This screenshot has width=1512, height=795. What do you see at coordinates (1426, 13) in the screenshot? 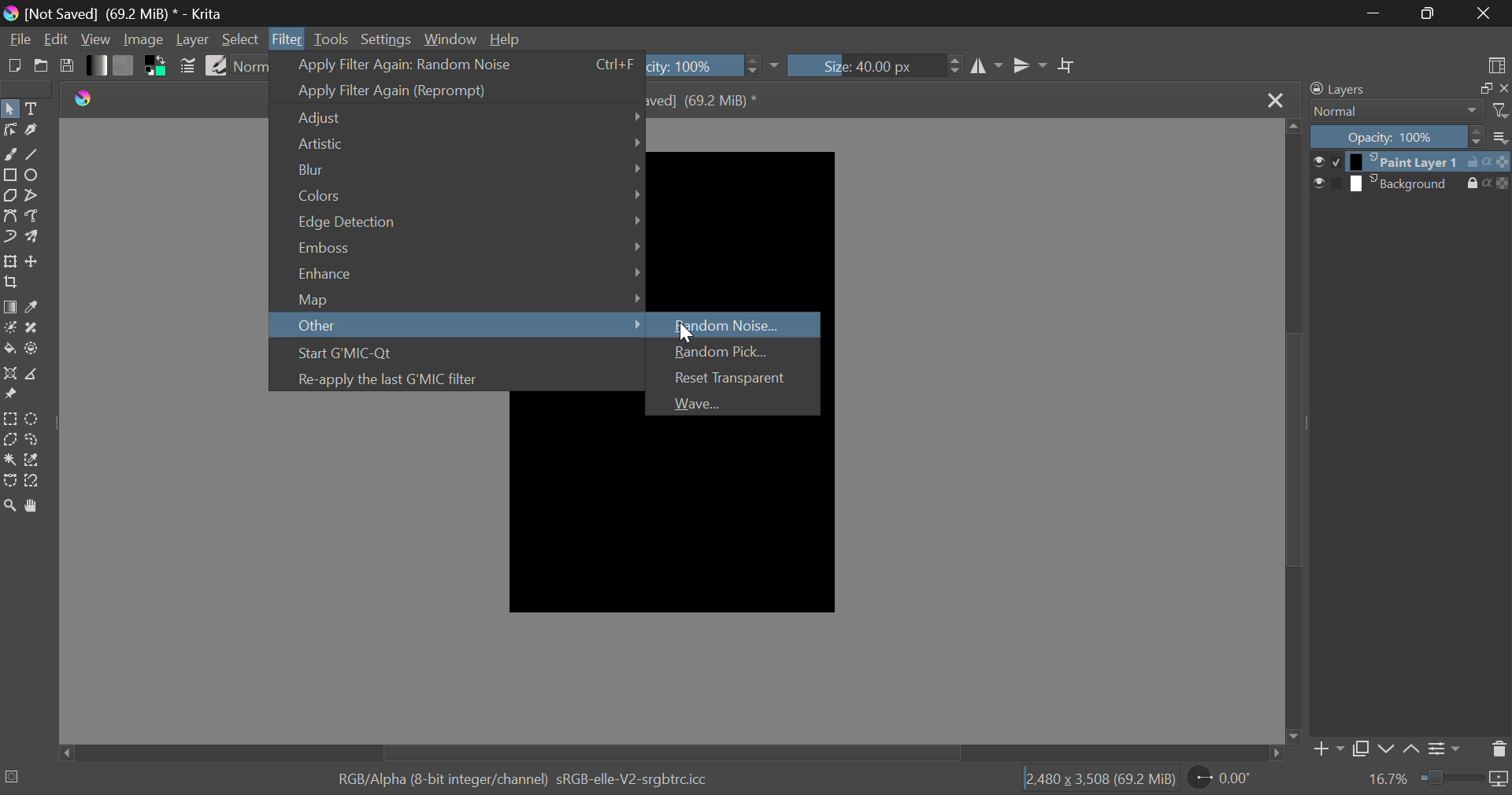
I see `Minimize` at bounding box center [1426, 13].